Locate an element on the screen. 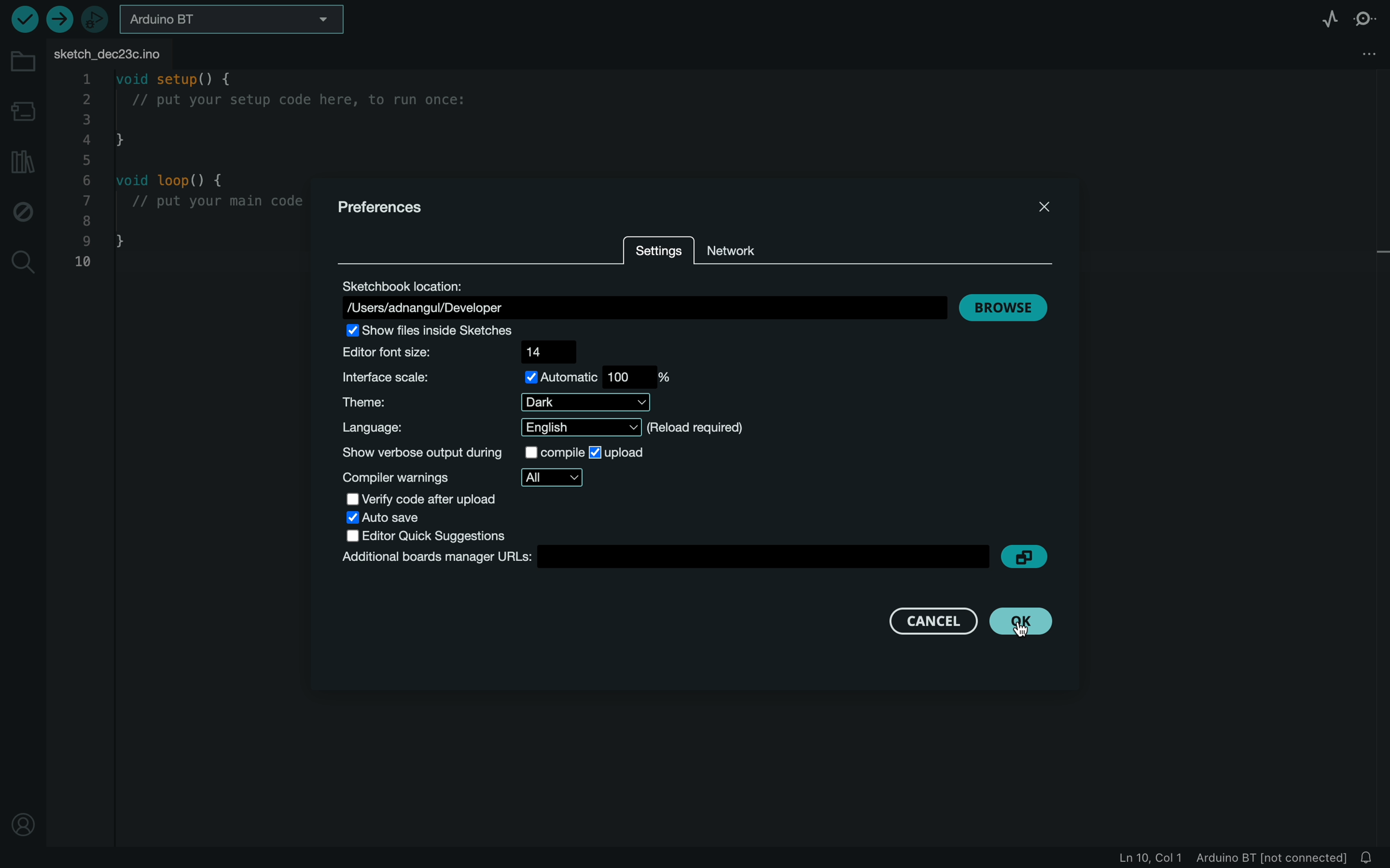  location is located at coordinates (643, 294).